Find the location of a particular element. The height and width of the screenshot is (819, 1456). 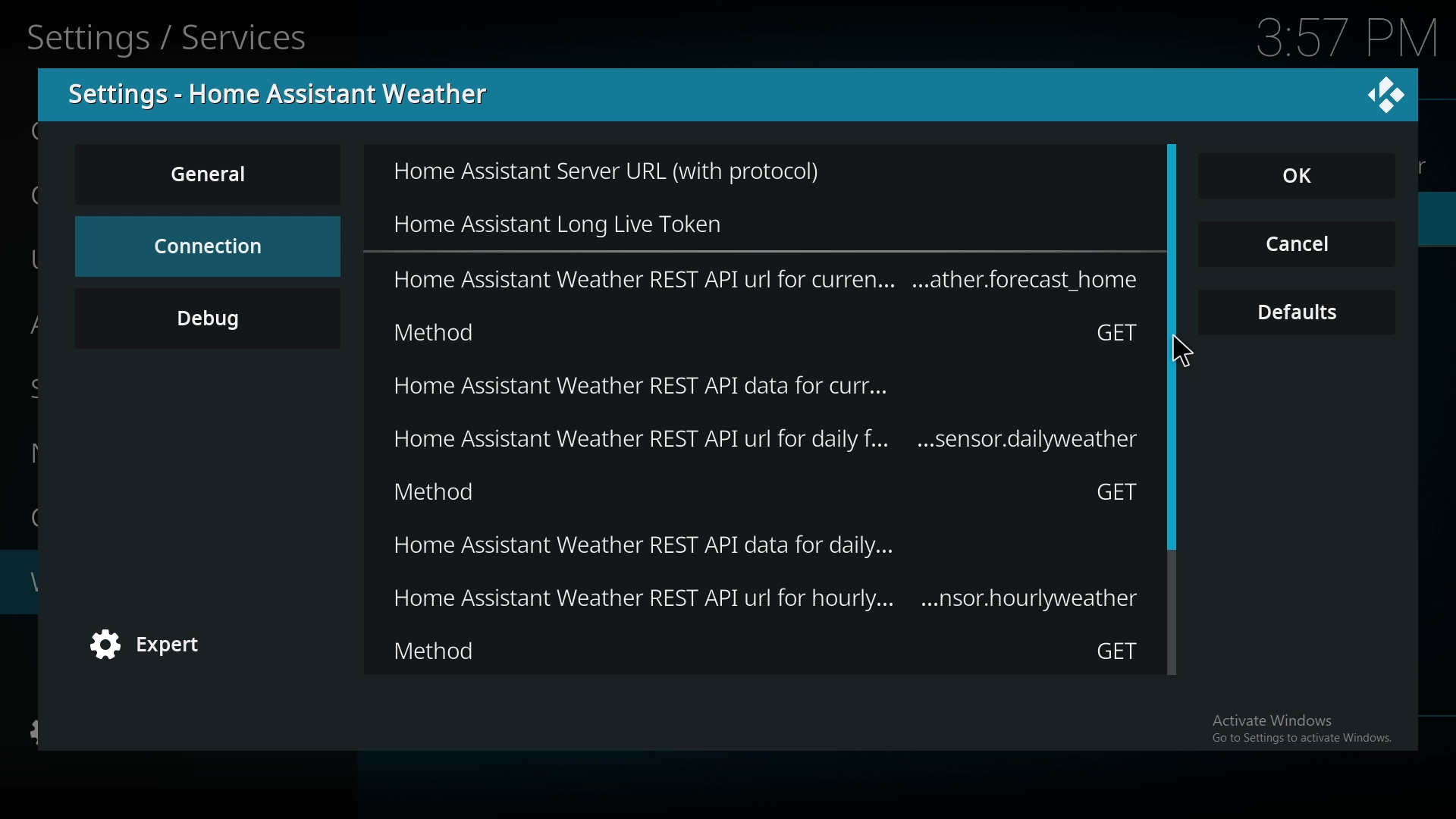

home assistant weather rest api url for daily f.. is located at coordinates (769, 438).